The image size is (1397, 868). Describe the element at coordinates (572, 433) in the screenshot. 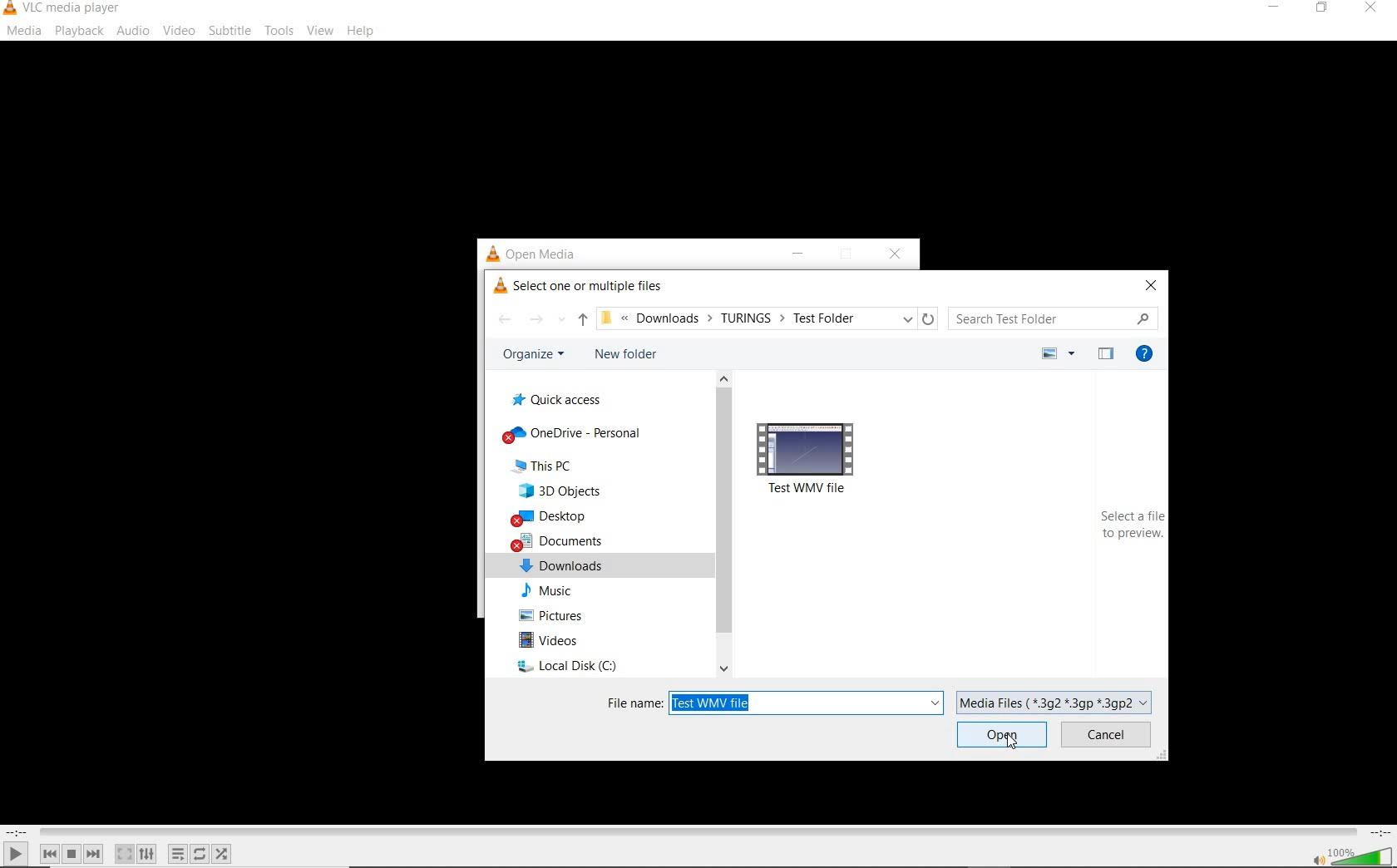

I see `OneDrive - Personal` at that location.